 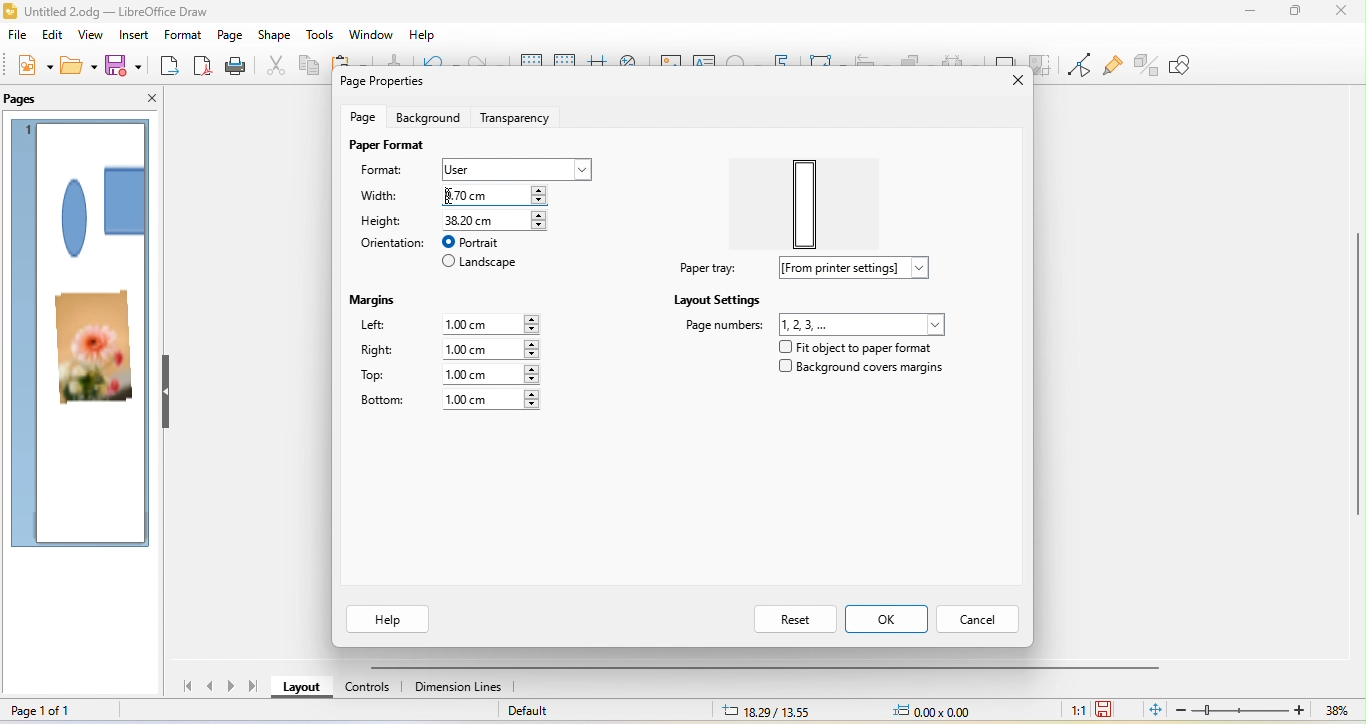 I want to click on export direct as pdf, so click(x=205, y=66).